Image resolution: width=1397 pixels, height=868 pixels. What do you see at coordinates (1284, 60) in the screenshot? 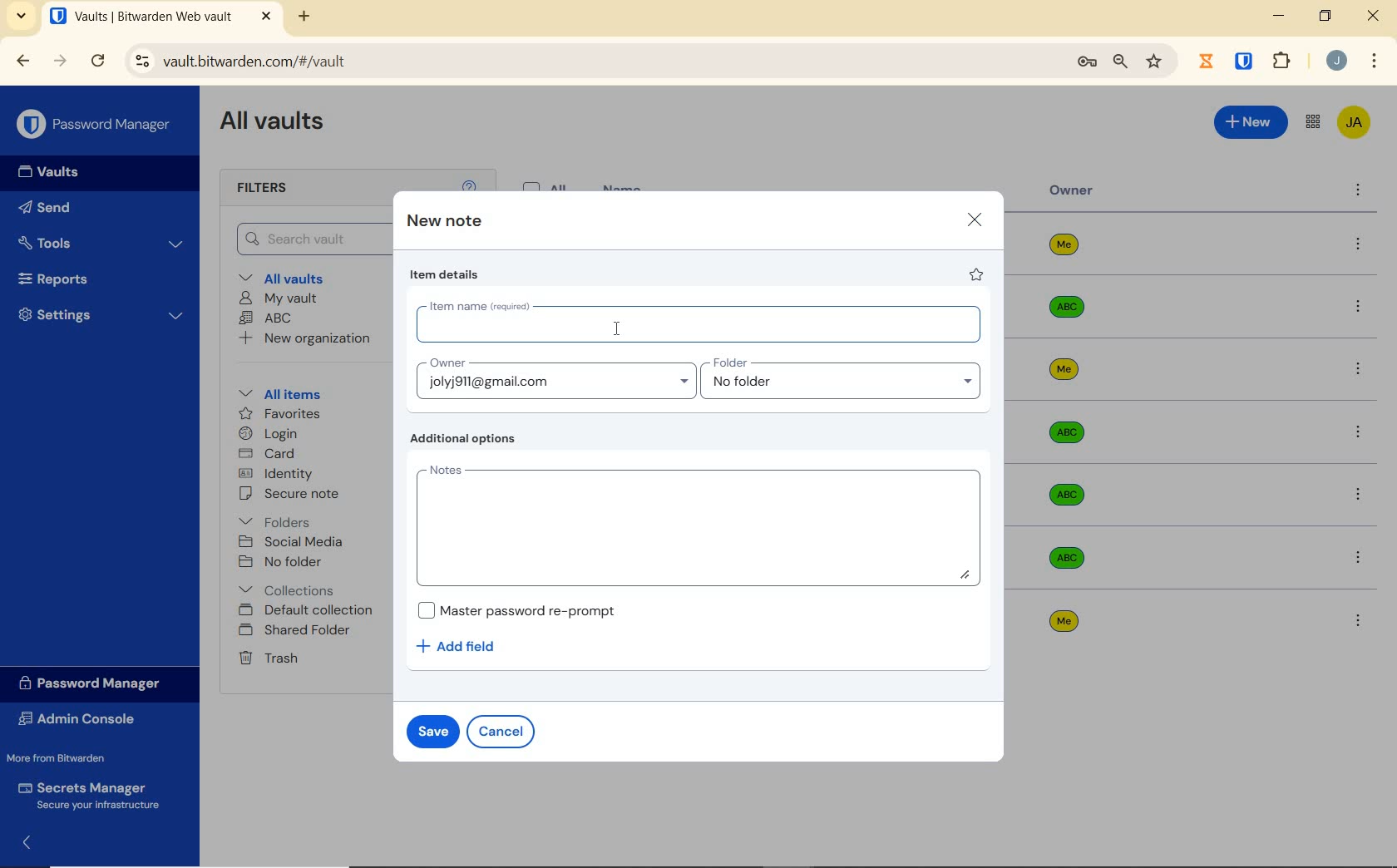
I see `extensions` at bounding box center [1284, 60].